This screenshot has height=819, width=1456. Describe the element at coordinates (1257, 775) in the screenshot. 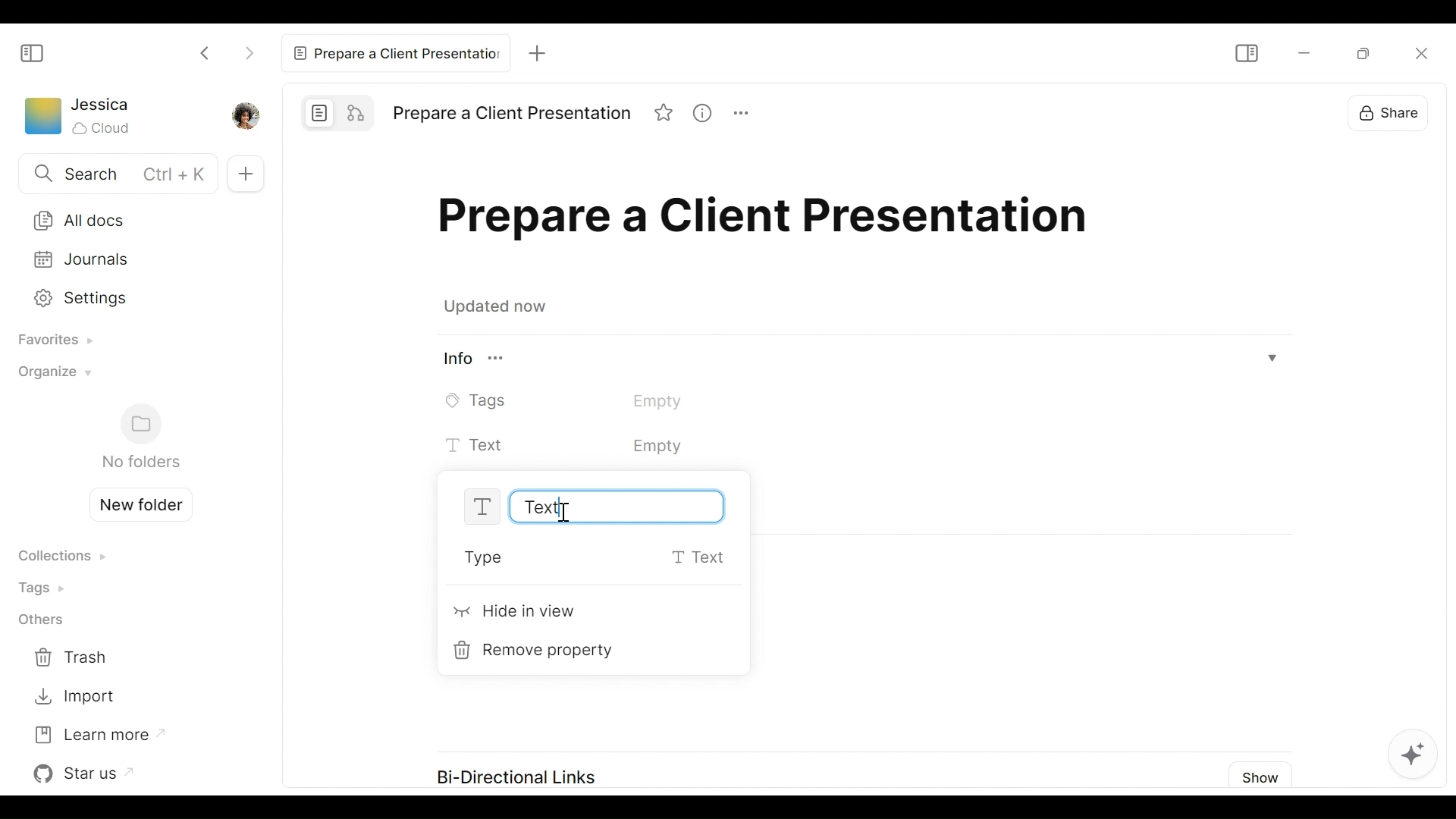

I see `Show` at that location.